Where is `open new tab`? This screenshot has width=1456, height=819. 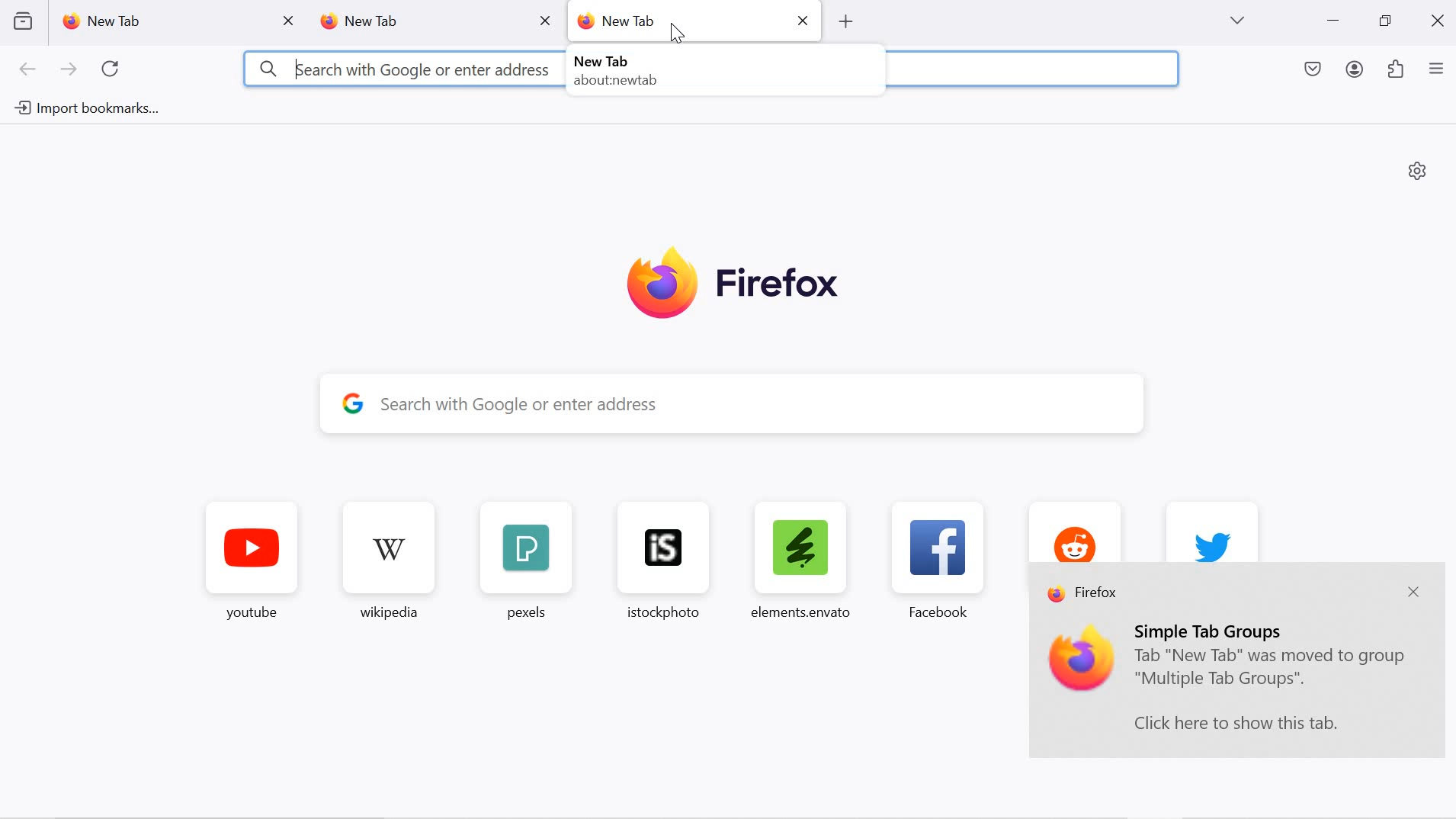
open new tab is located at coordinates (844, 21).